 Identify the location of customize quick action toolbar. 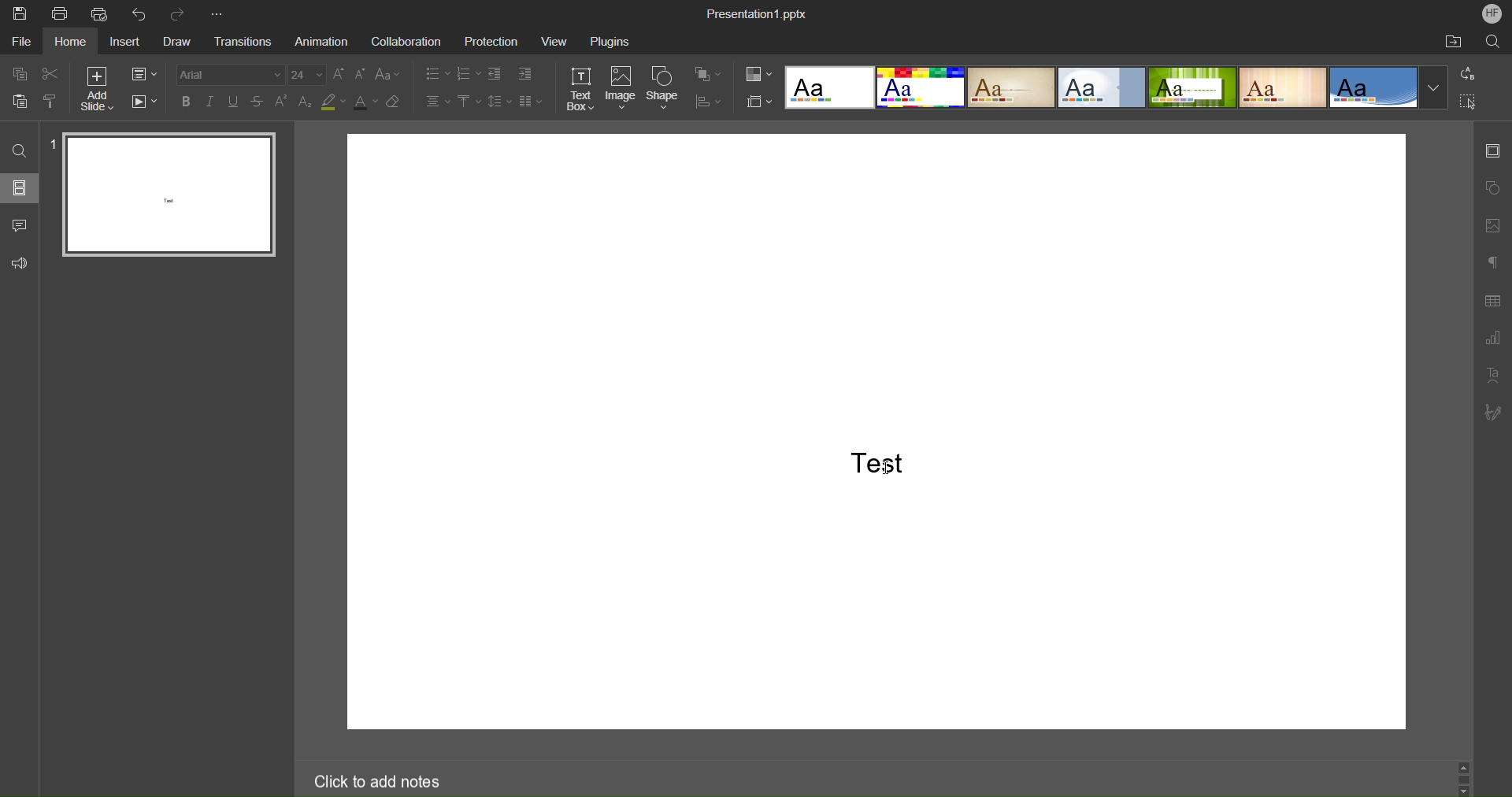
(221, 13).